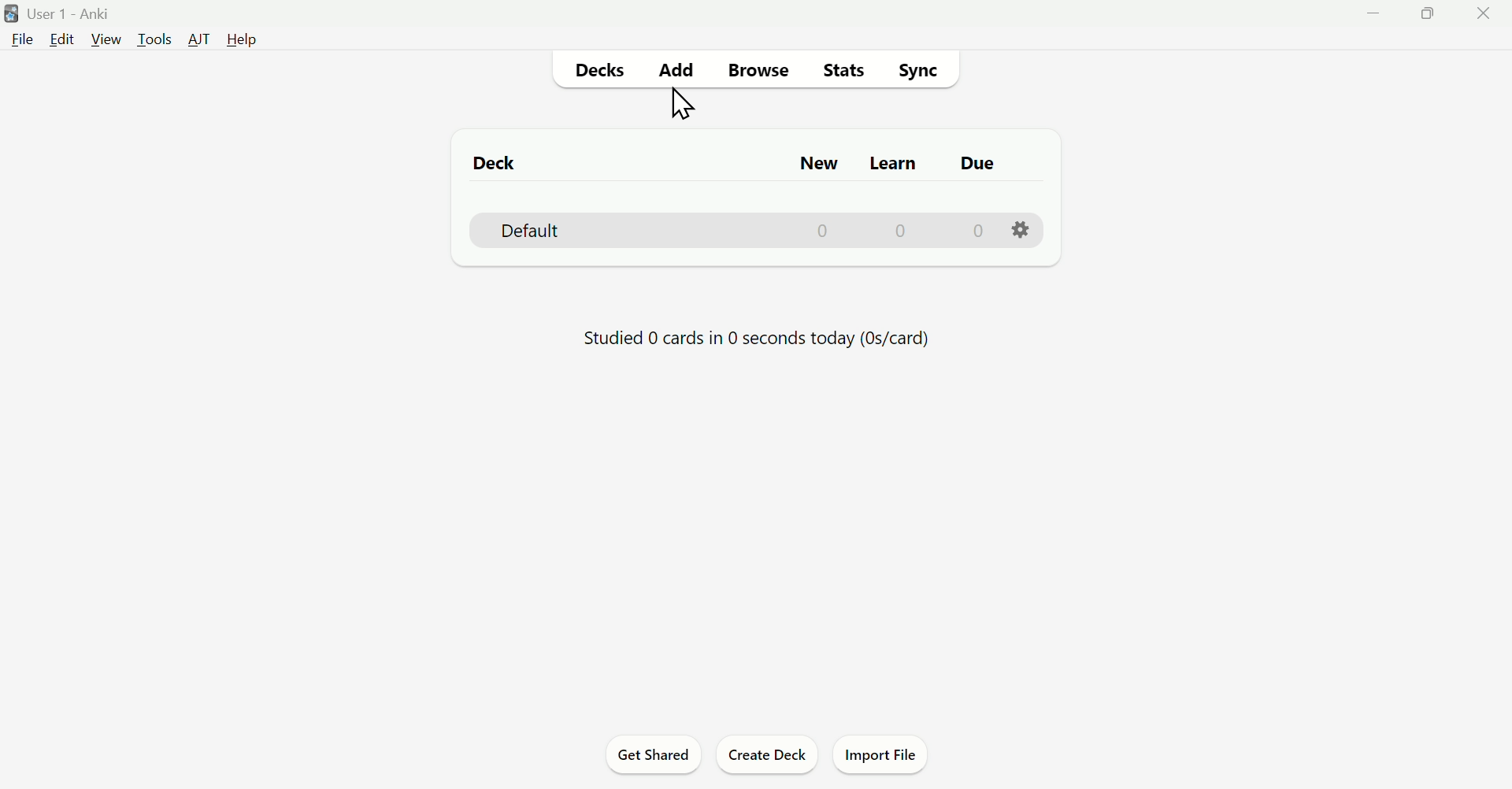 The height and width of the screenshot is (789, 1512). I want to click on Browse, so click(756, 68).